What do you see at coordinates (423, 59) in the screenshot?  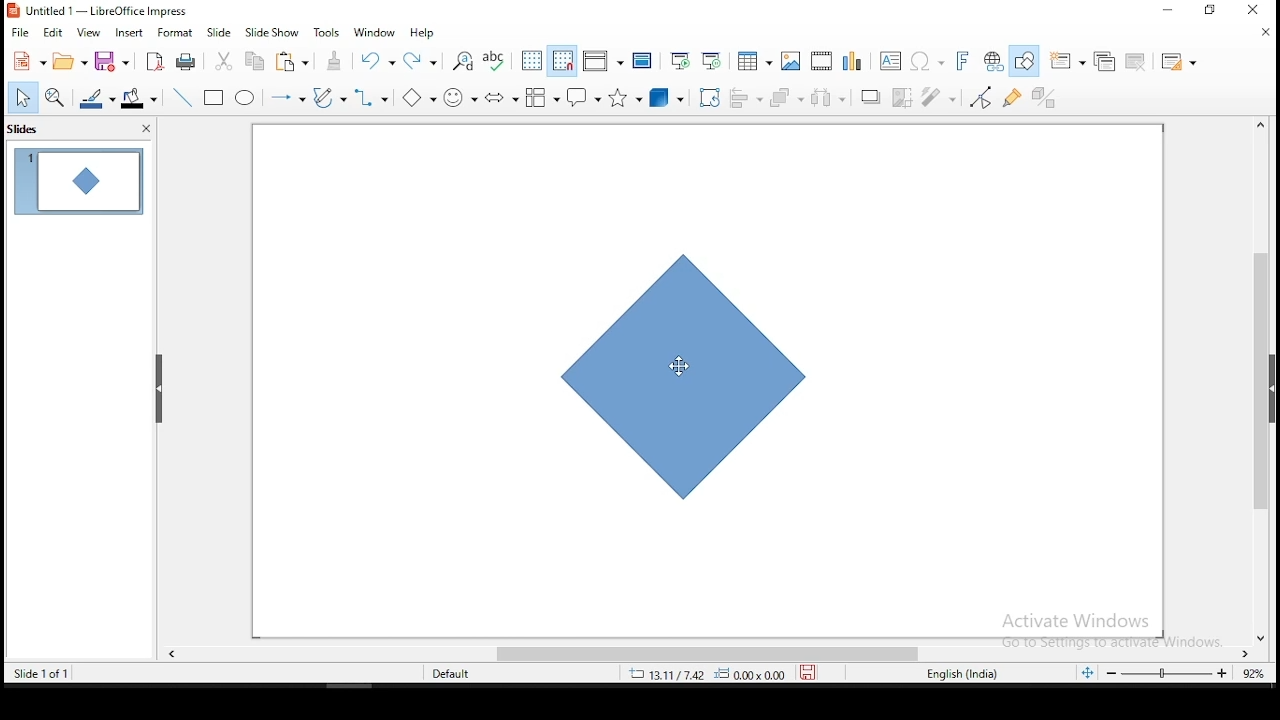 I see `redo` at bounding box center [423, 59].